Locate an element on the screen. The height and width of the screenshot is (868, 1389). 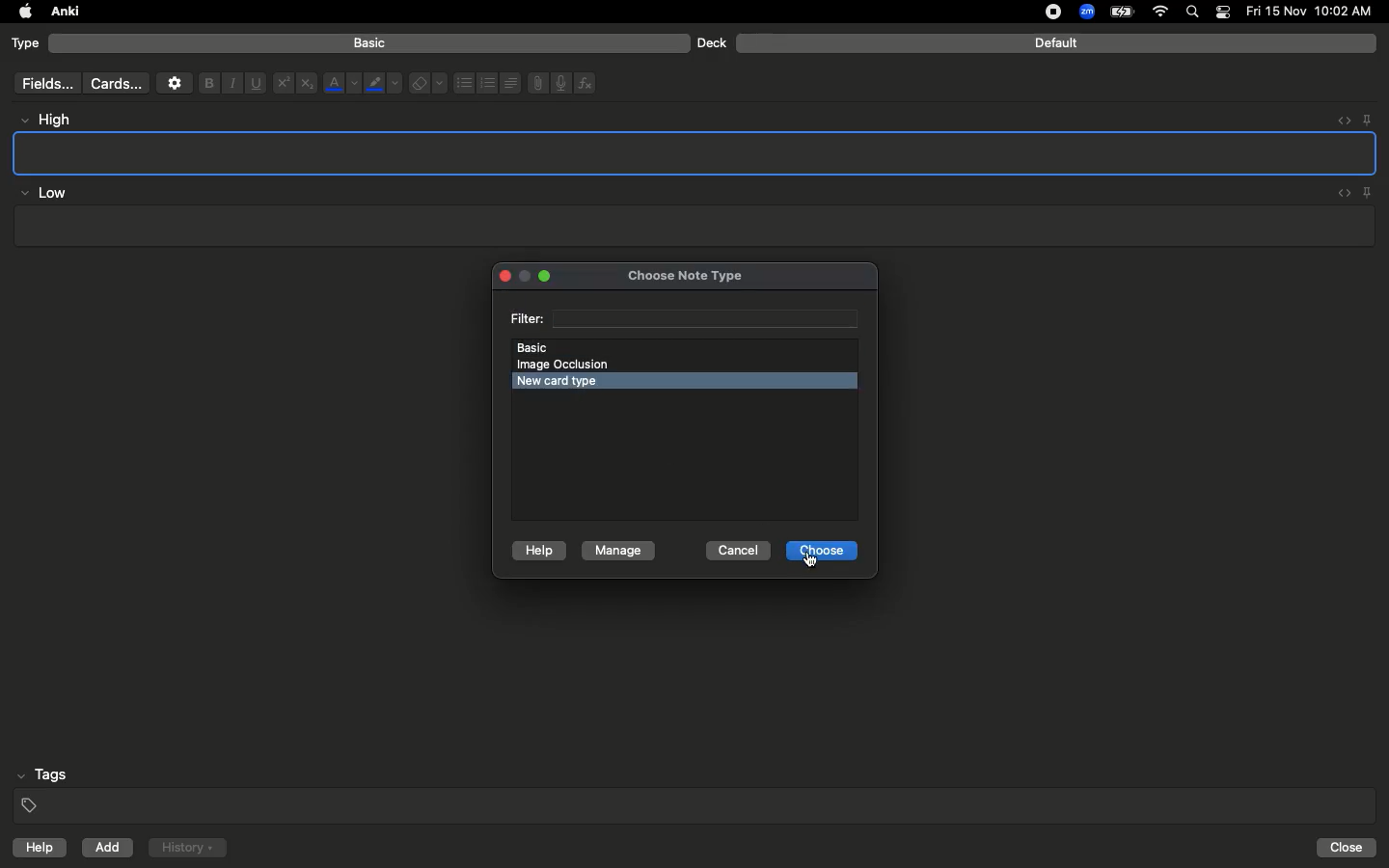
Fields is located at coordinates (43, 83).